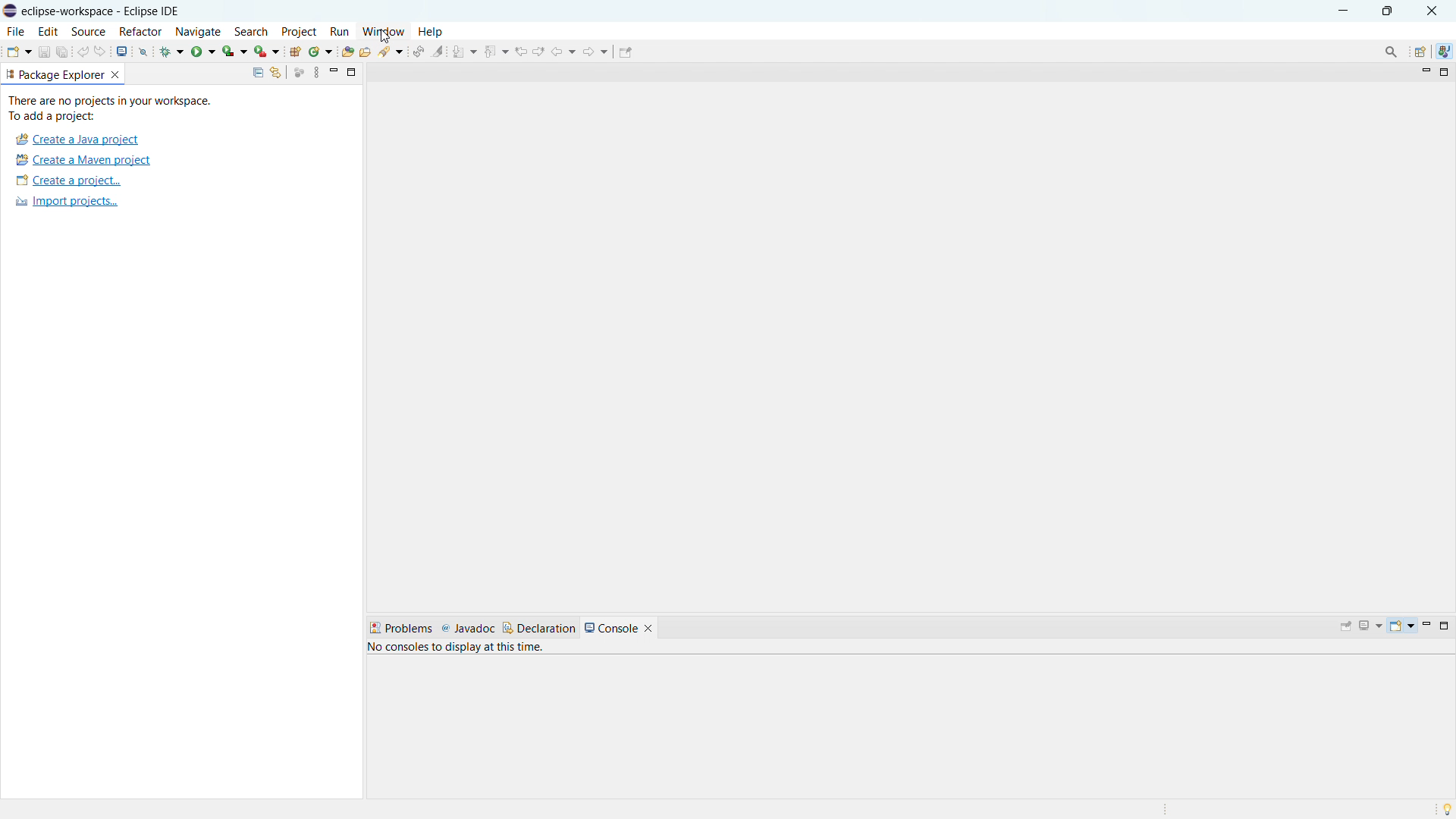 This screenshot has height=819, width=1456. What do you see at coordinates (333, 71) in the screenshot?
I see `minimize` at bounding box center [333, 71].